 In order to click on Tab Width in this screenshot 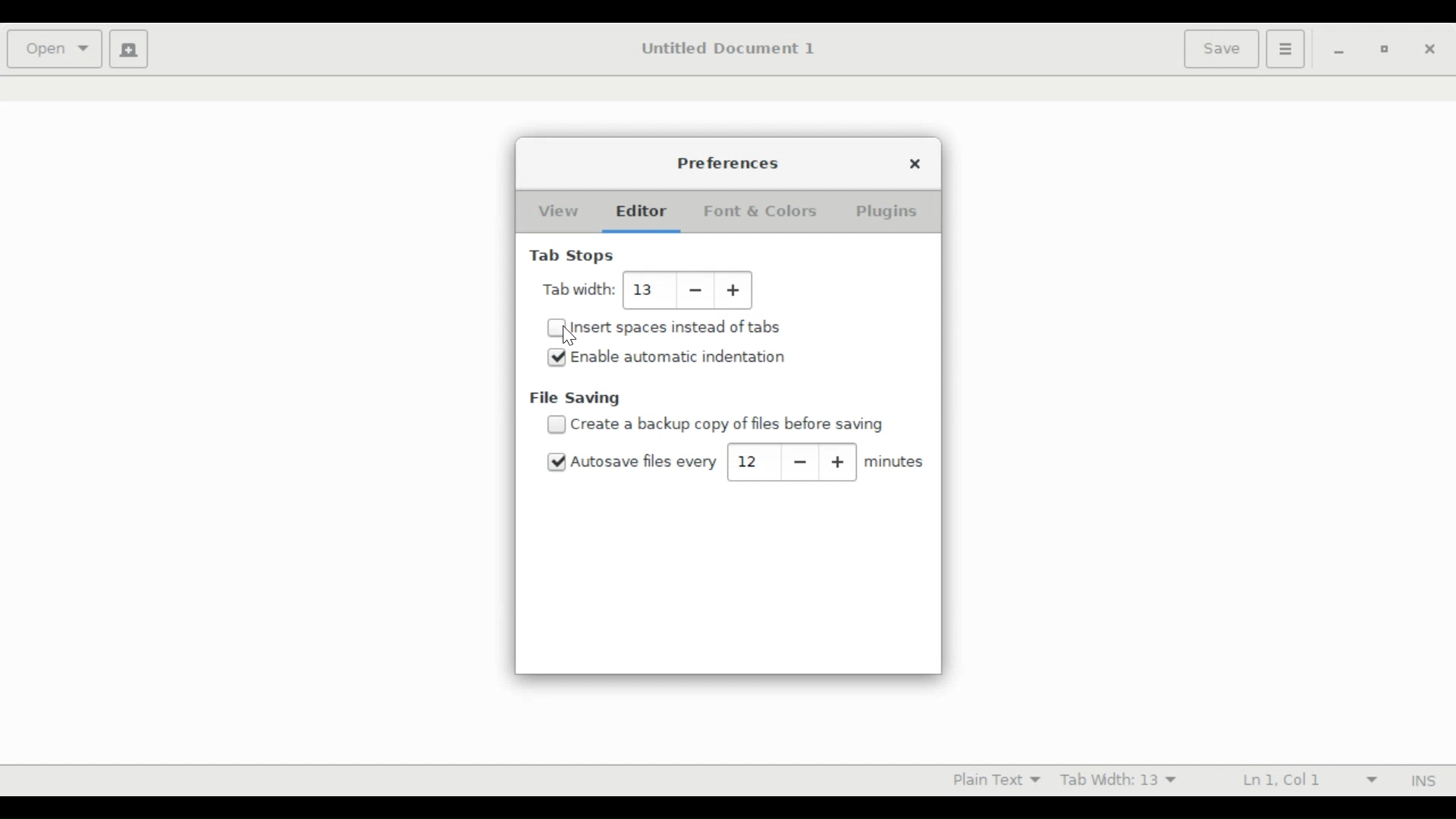, I will do `click(579, 289)`.